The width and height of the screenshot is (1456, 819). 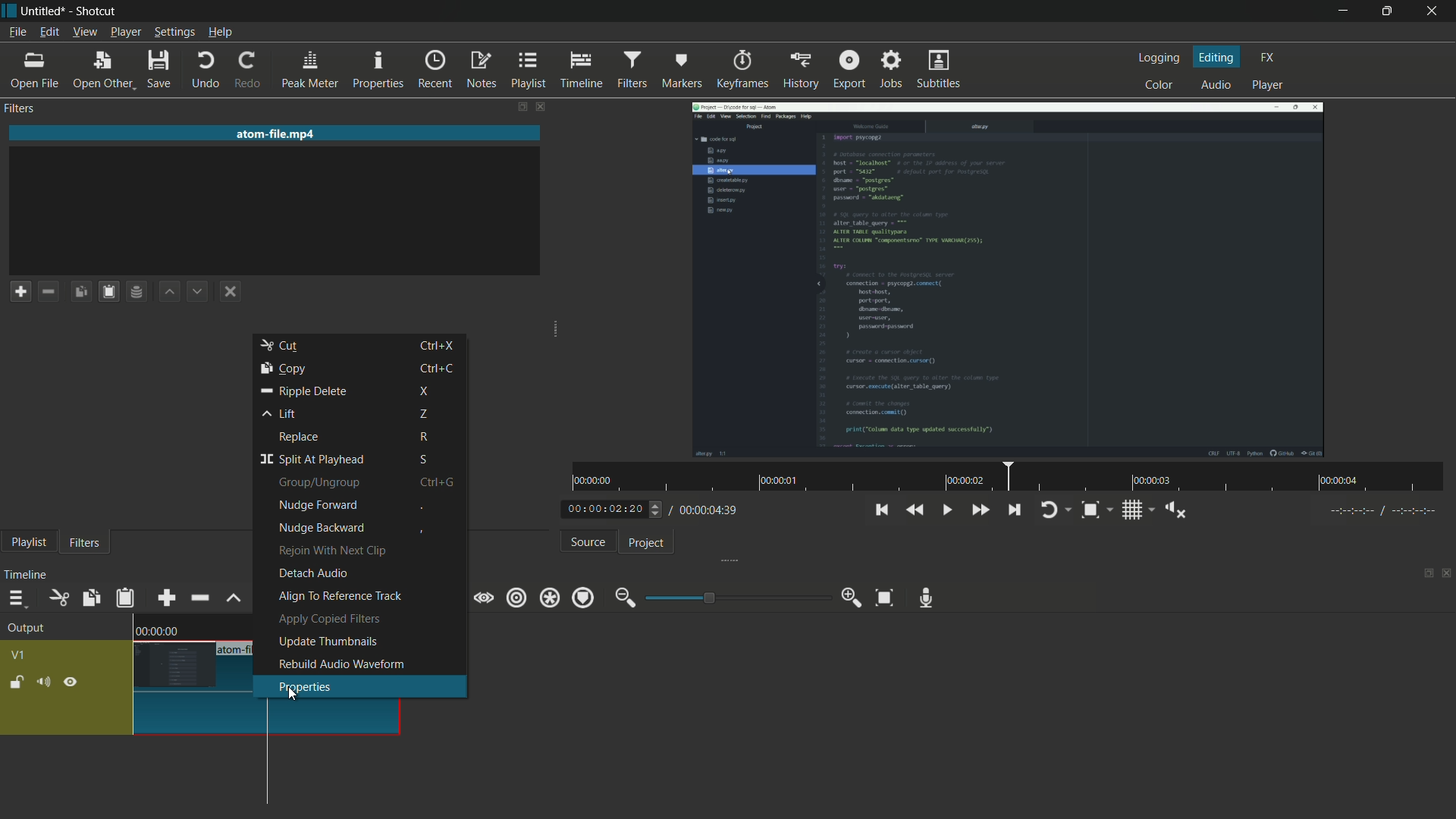 I want to click on audio, so click(x=1217, y=83).